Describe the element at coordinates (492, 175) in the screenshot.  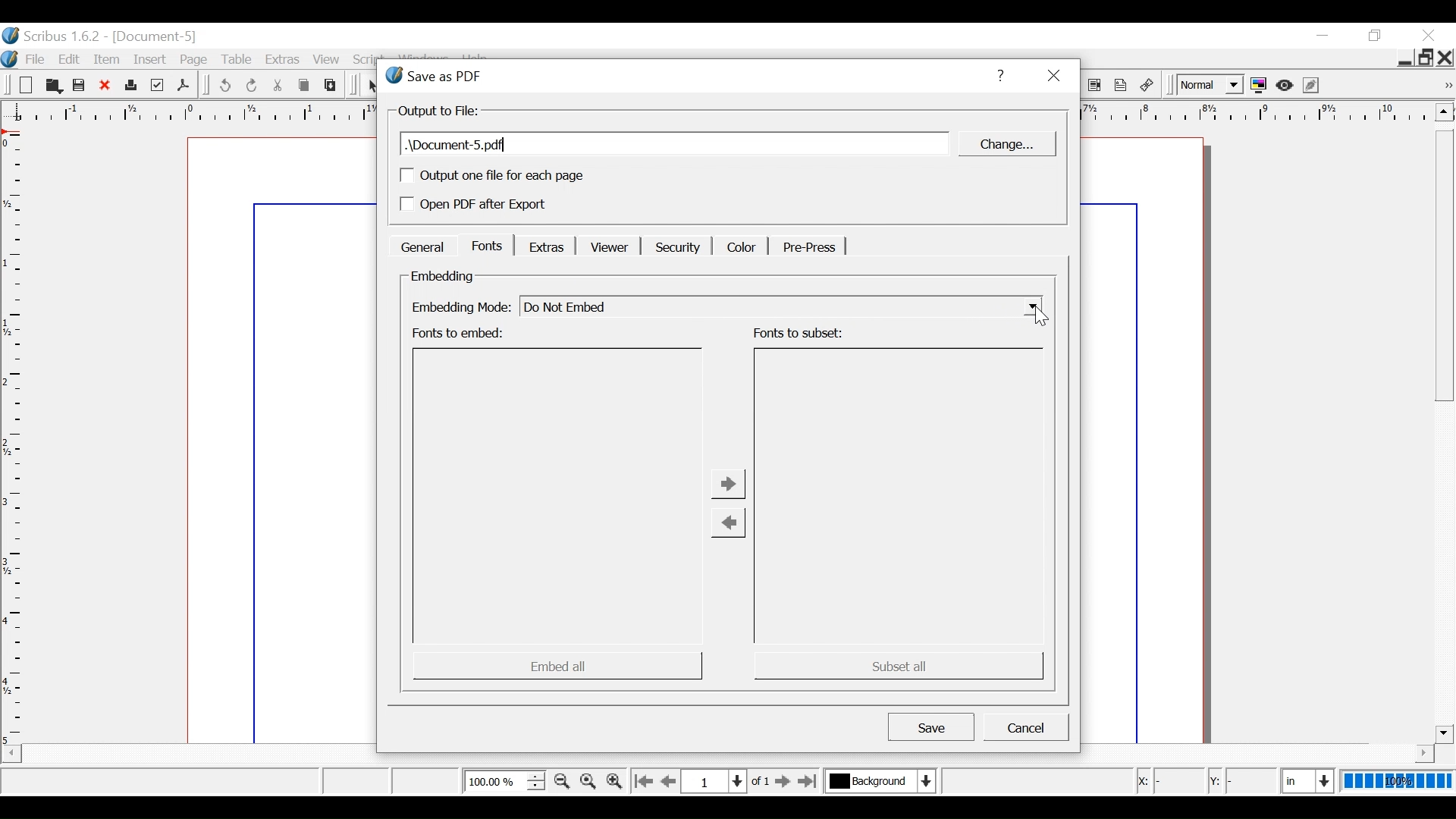
I see `(un)check output one file for each page` at that location.